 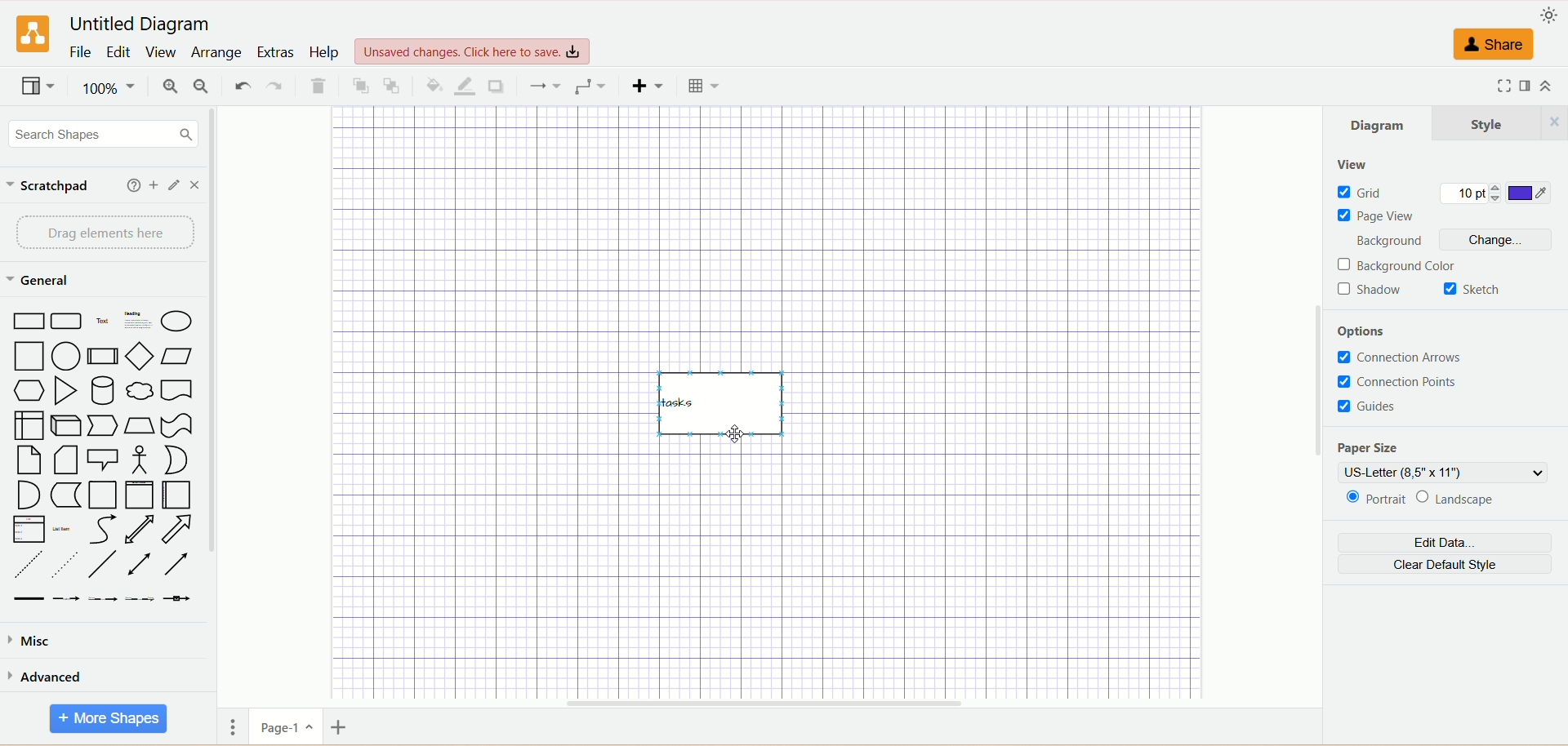 What do you see at coordinates (1531, 193) in the screenshot?
I see `color` at bounding box center [1531, 193].